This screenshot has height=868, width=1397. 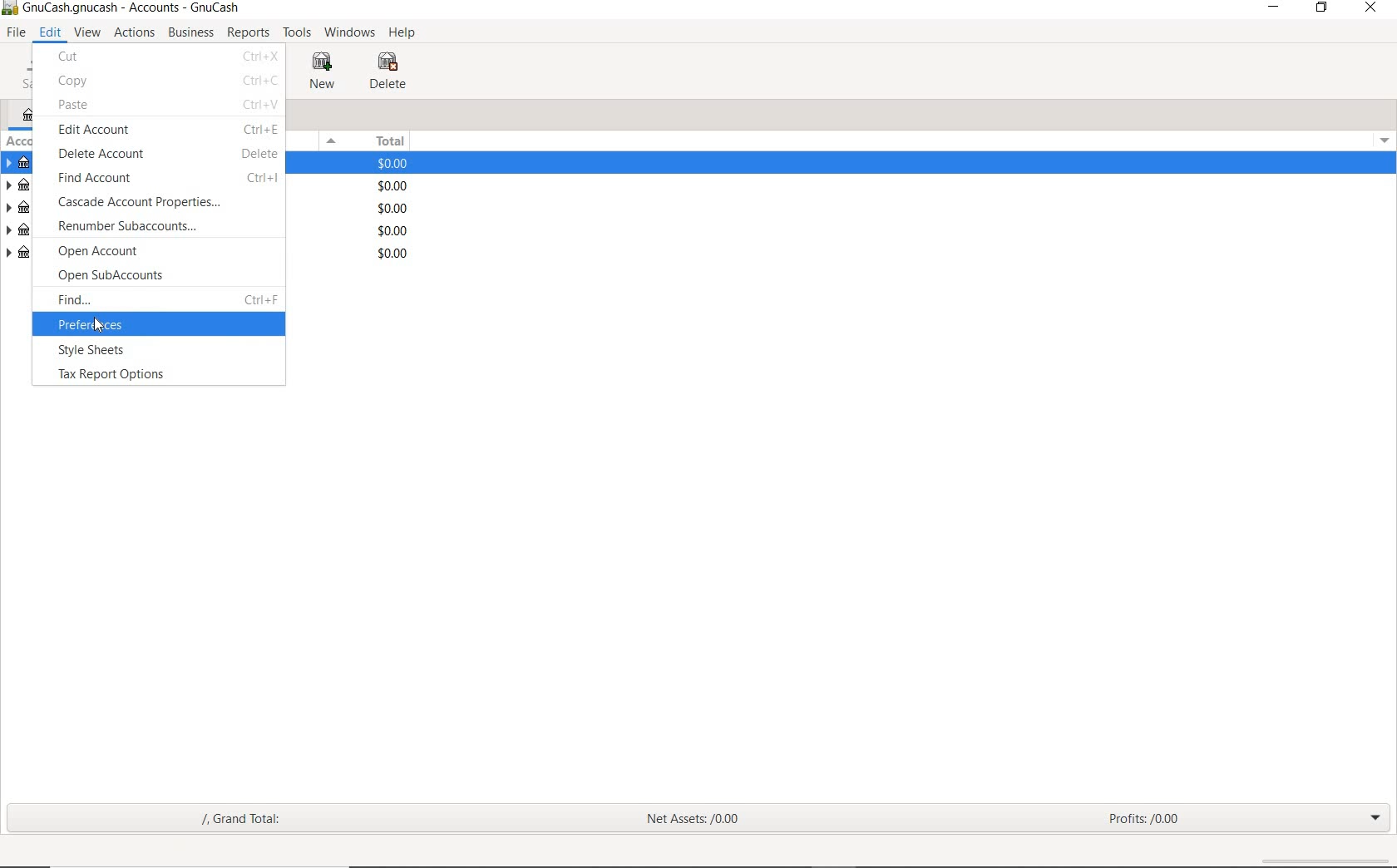 What do you see at coordinates (405, 33) in the screenshot?
I see `HELP` at bounding box center [405, 33].